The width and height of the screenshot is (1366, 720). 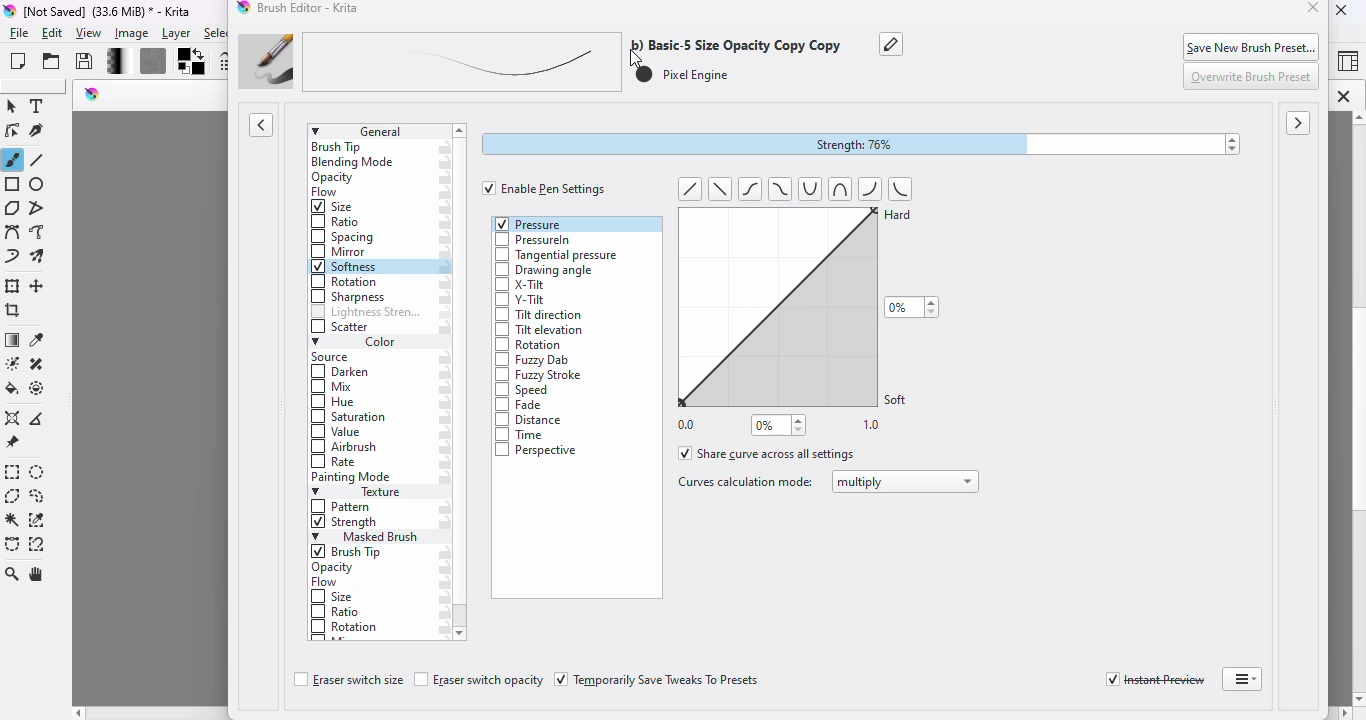 I want to click on curve, so click(x=811, y=190).